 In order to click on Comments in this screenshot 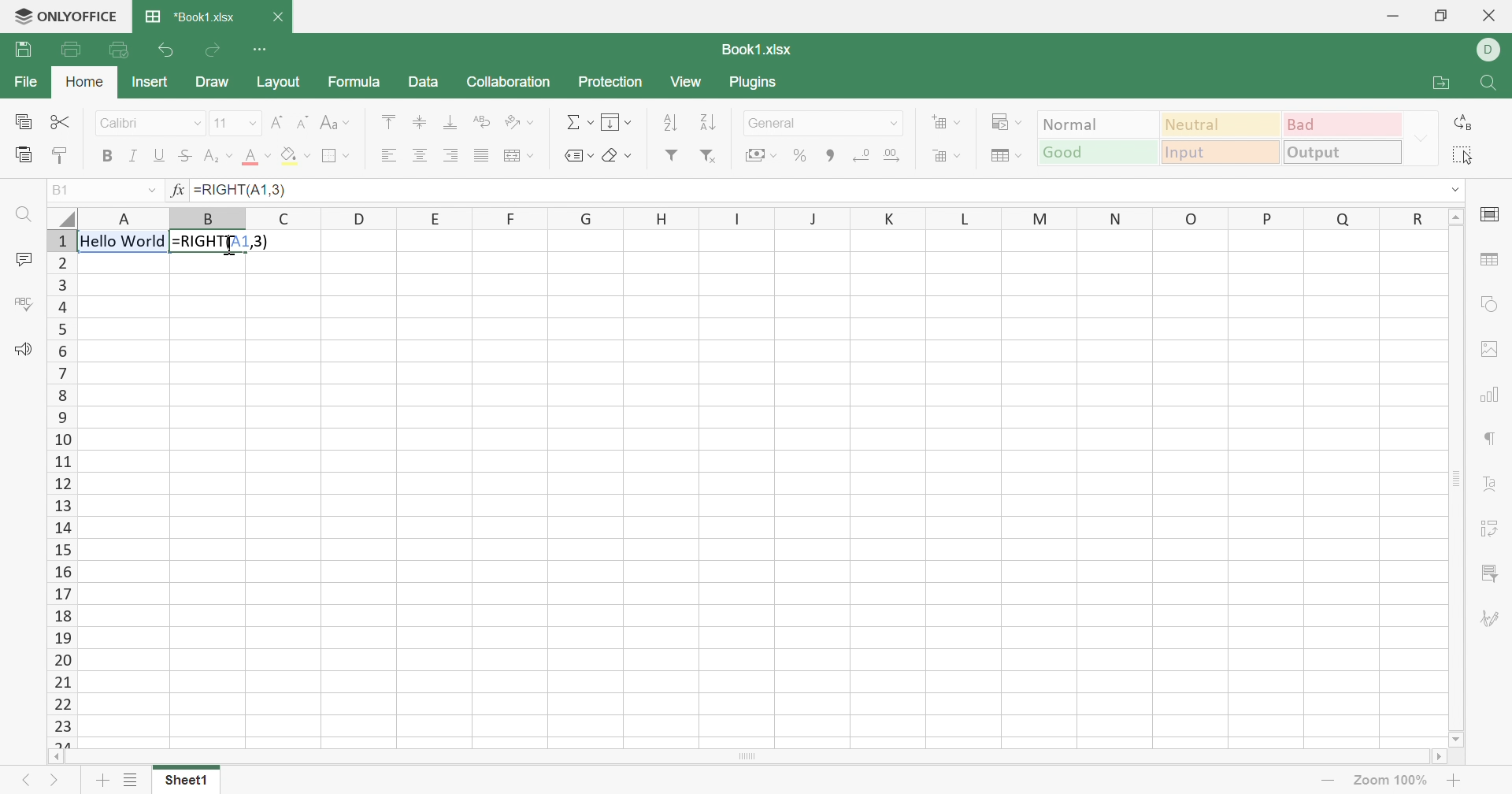, I will do `click(24, 260)`.